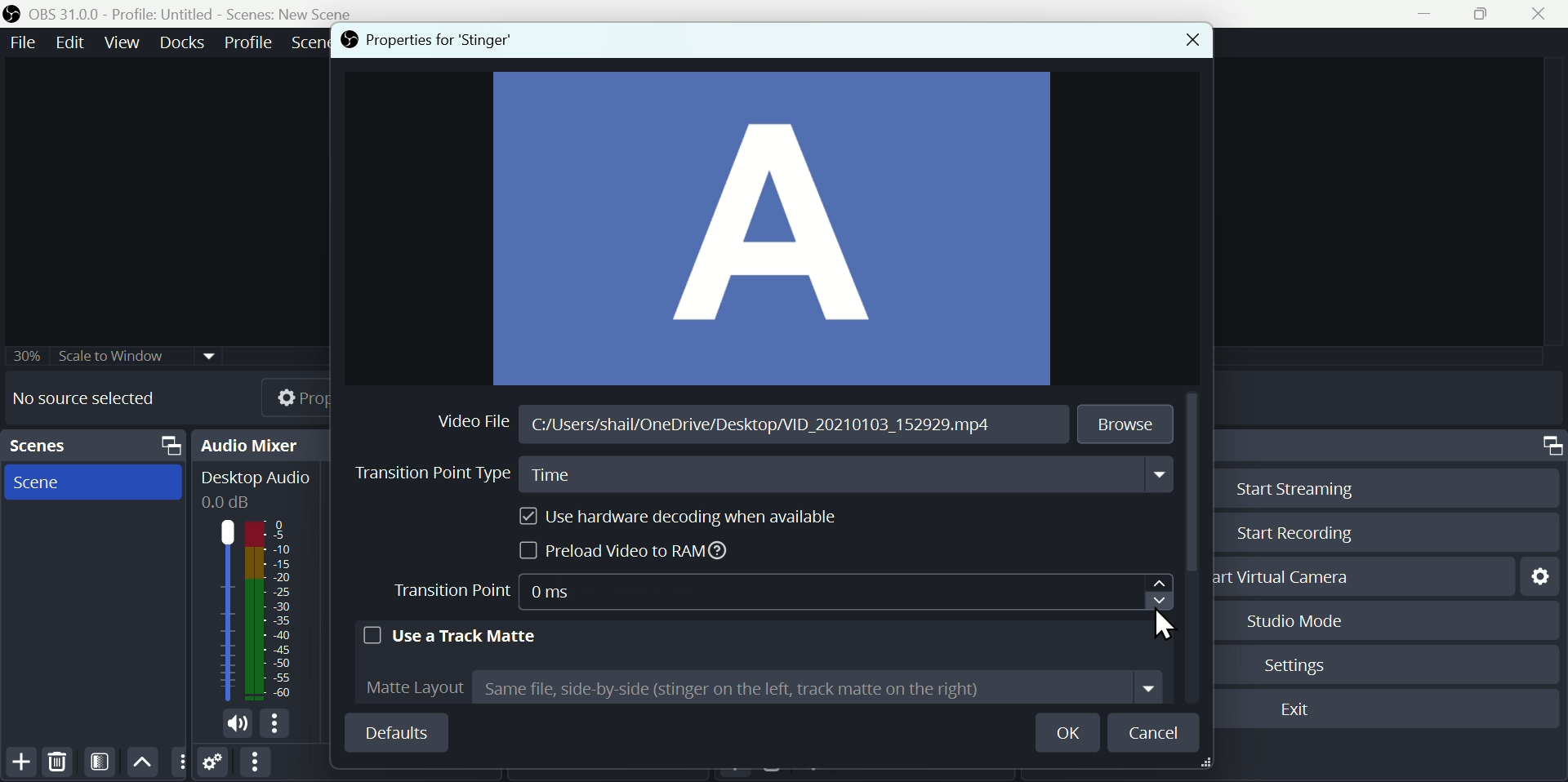 Image resolution: width=1568 pixels, height=782 pixels. Describe the element at coordinates (1291, 576) in the screenshot. I see `Start virtual camera` at that location.